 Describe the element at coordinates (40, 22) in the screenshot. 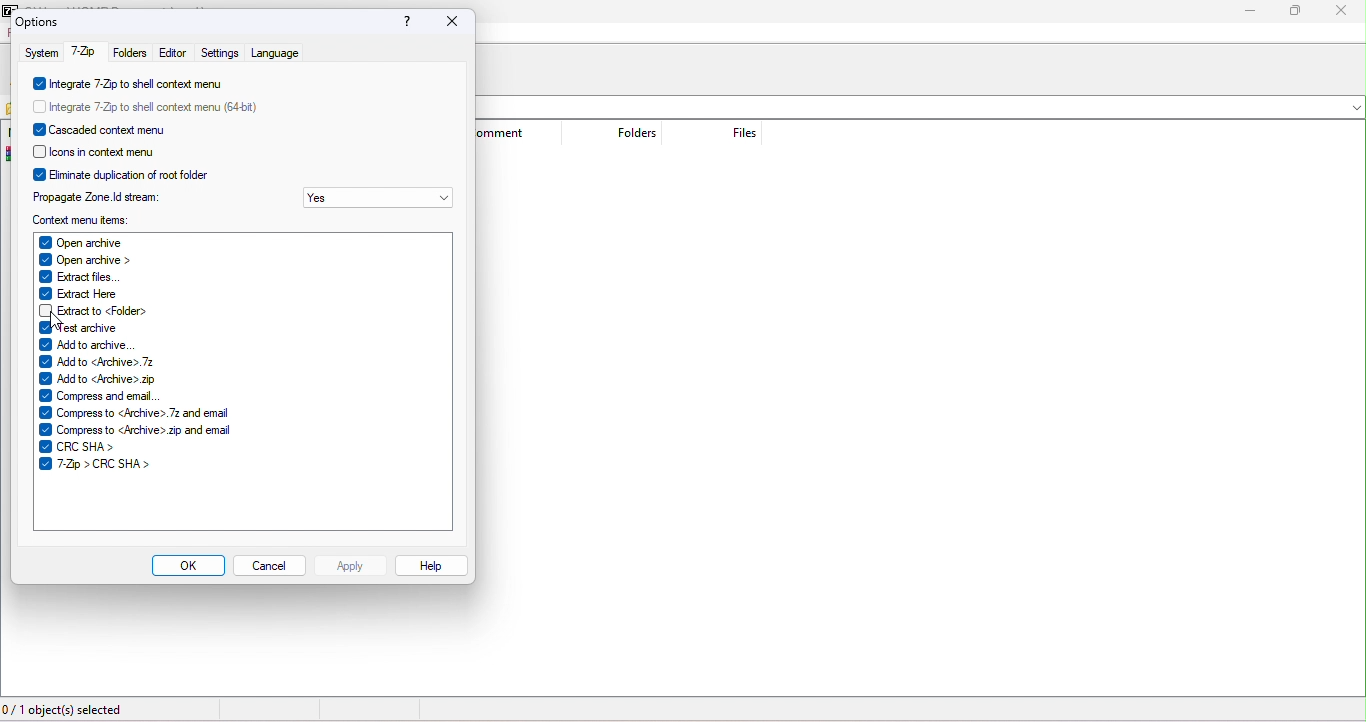

I see `options` at that location.